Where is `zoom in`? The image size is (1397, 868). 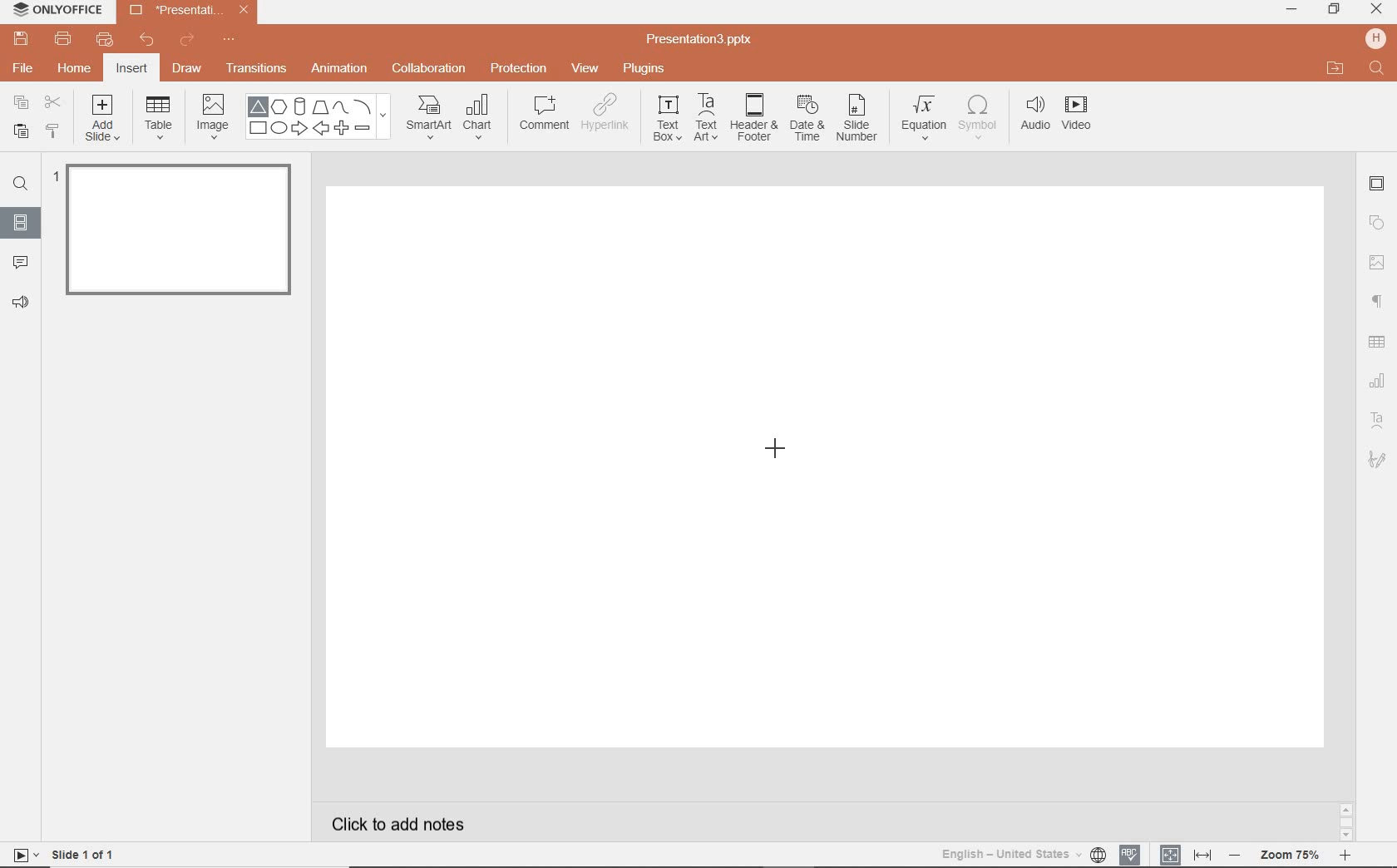
zoom in is located at coordinates (1345, 857).